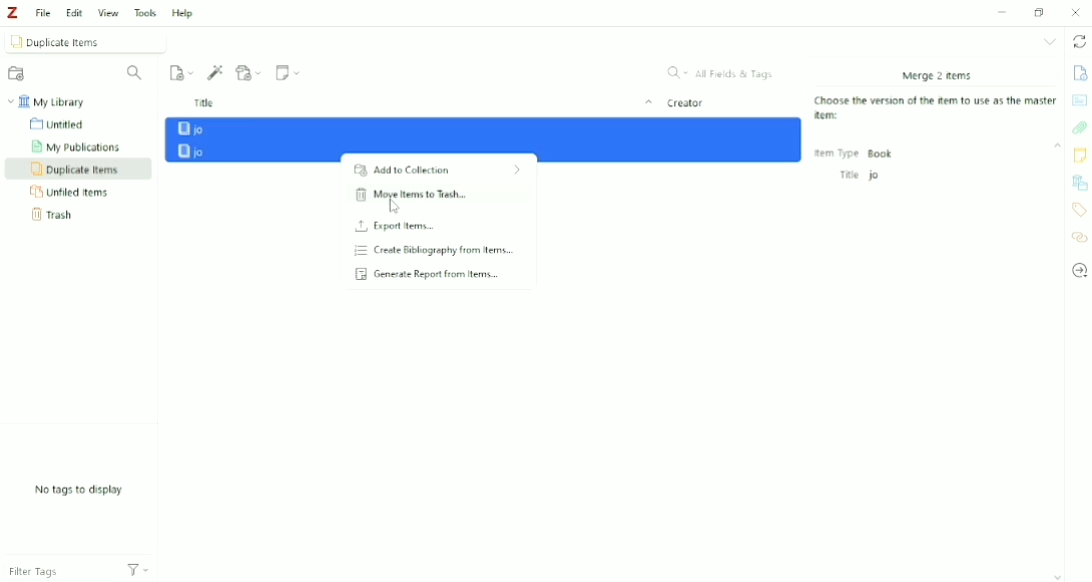 The height and width of the screenshot is (582, 1092). I want to click on Add Attachment, so click(250, 73).